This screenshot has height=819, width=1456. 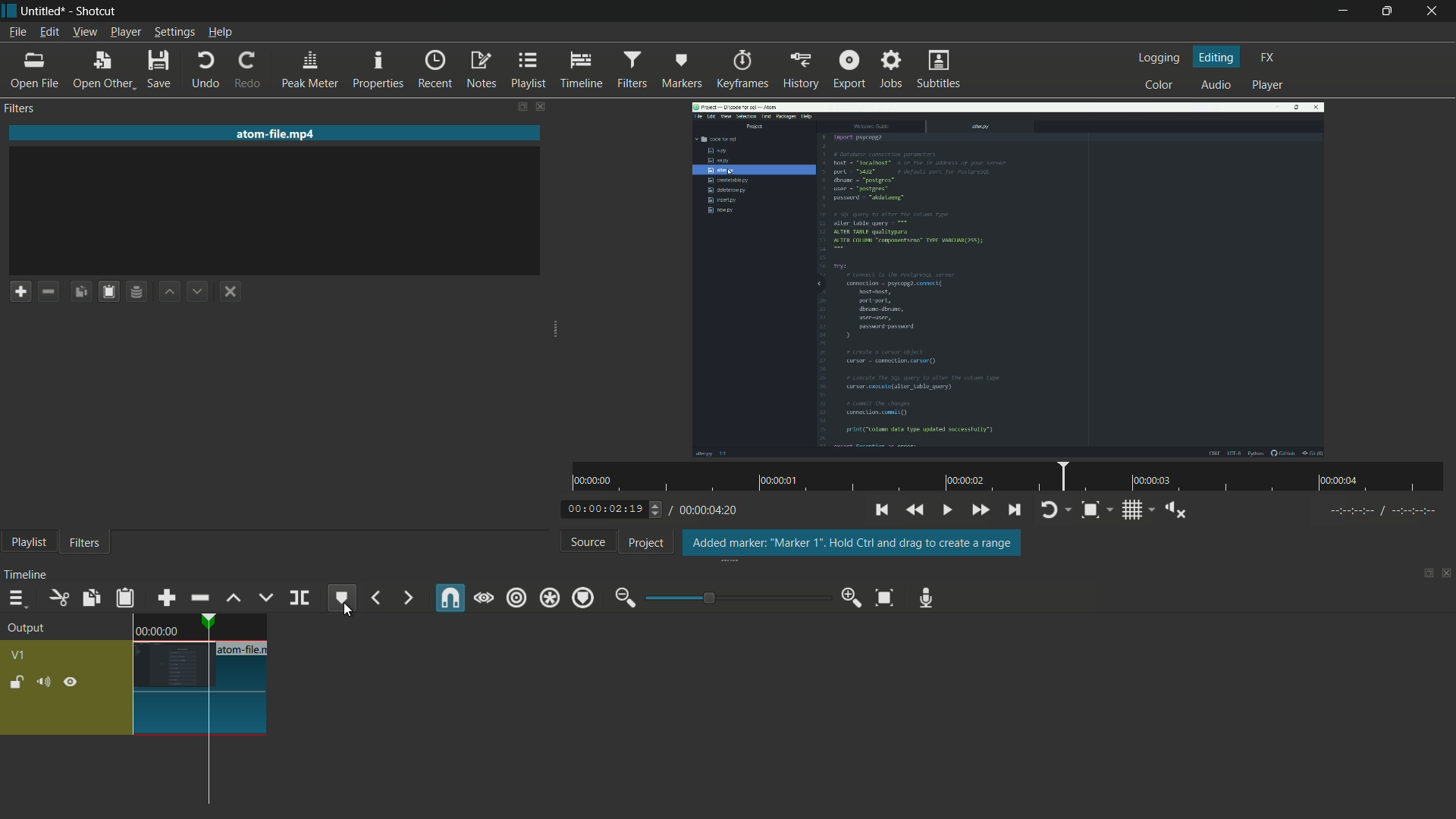 What do you see at coordinates (1090, 510) in the screenshot?
I see `toggle zoom` at bounding box center [1090, 510].